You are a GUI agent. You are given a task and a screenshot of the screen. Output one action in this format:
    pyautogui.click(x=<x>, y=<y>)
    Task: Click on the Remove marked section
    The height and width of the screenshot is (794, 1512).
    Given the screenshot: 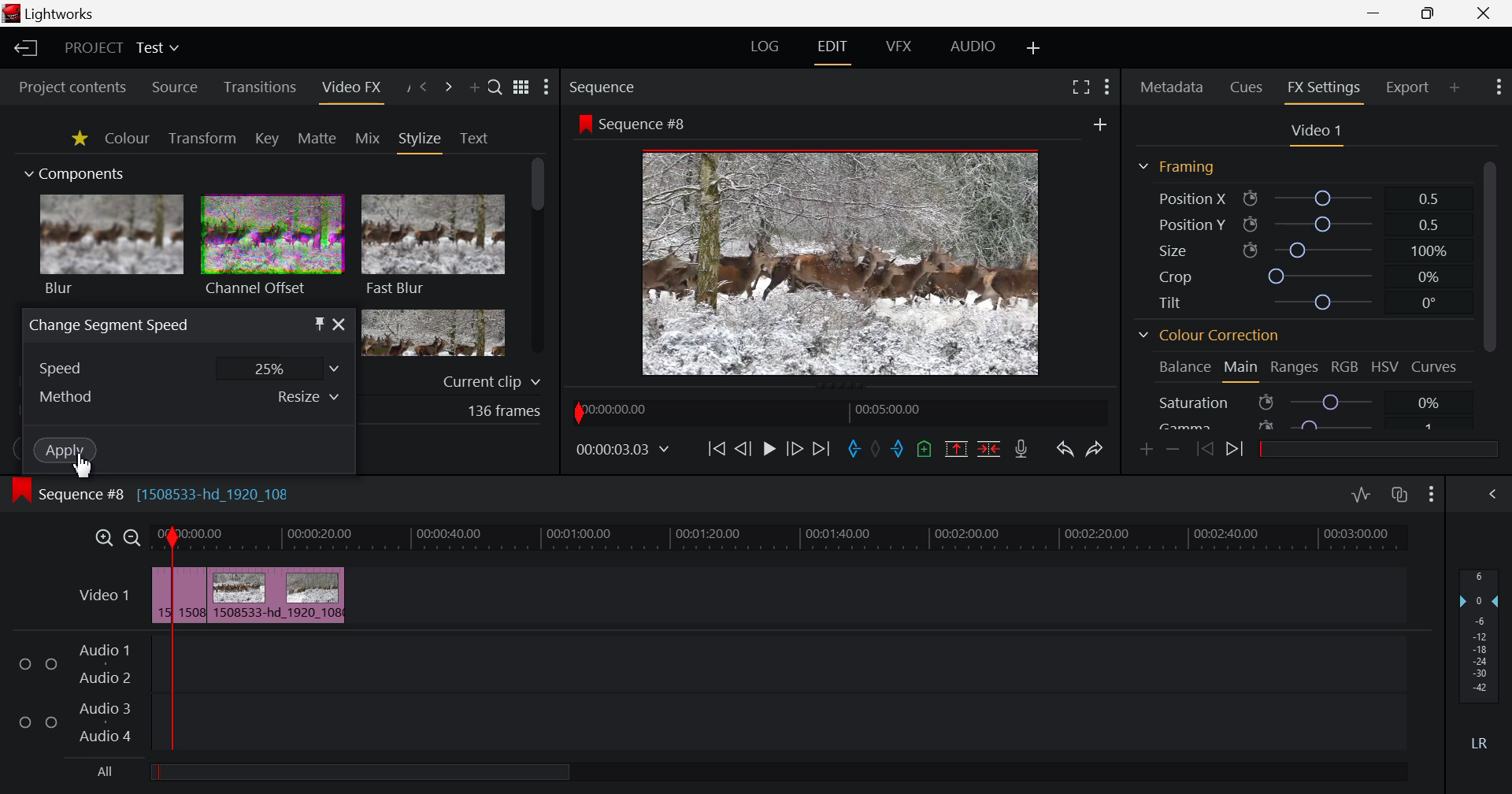 What is the action you would take?
    pyautogui.click(x=958, y=451)
    